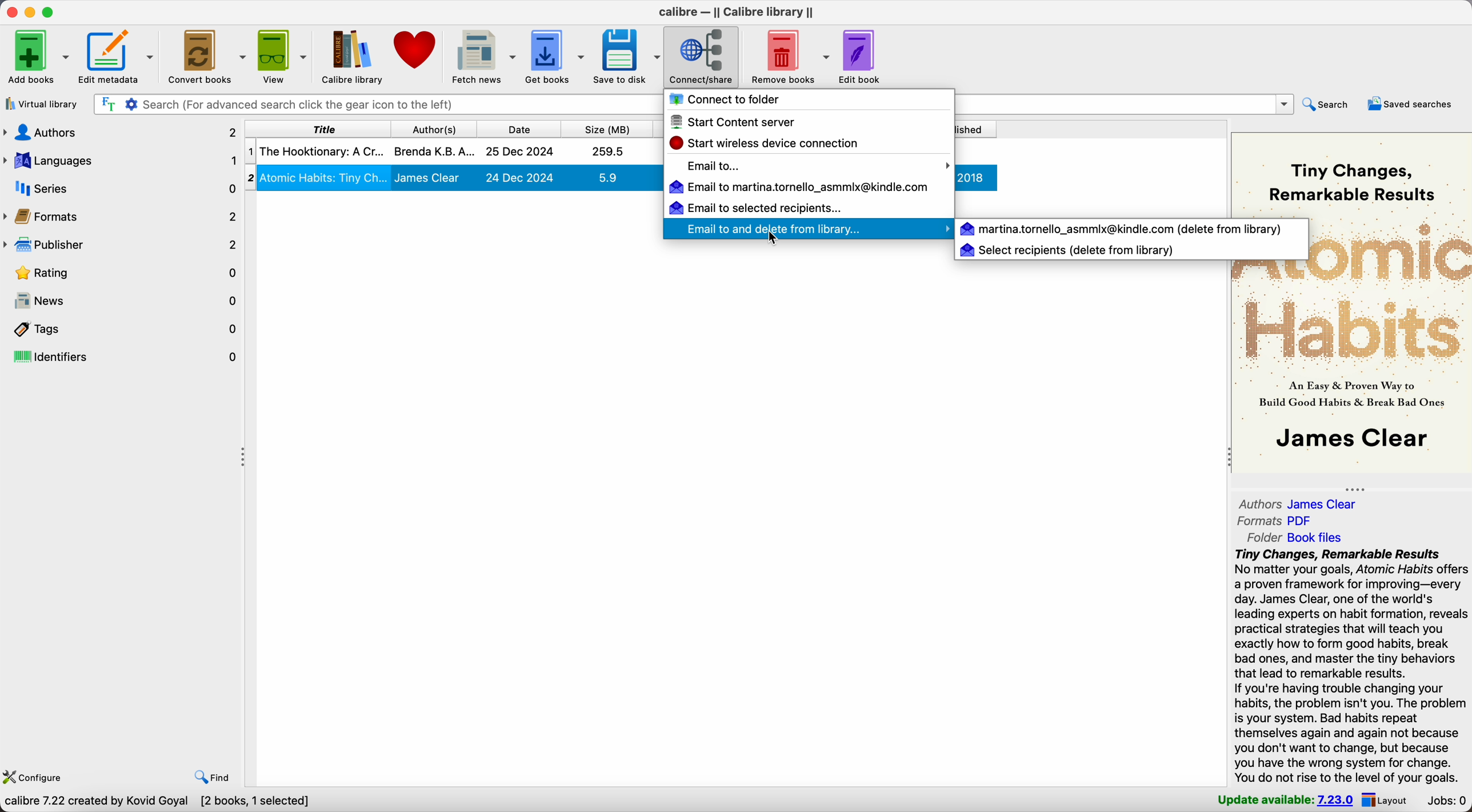  Describe the element at coordinates (119, 58) in the screenshot. I see `edit metadata` at that location.